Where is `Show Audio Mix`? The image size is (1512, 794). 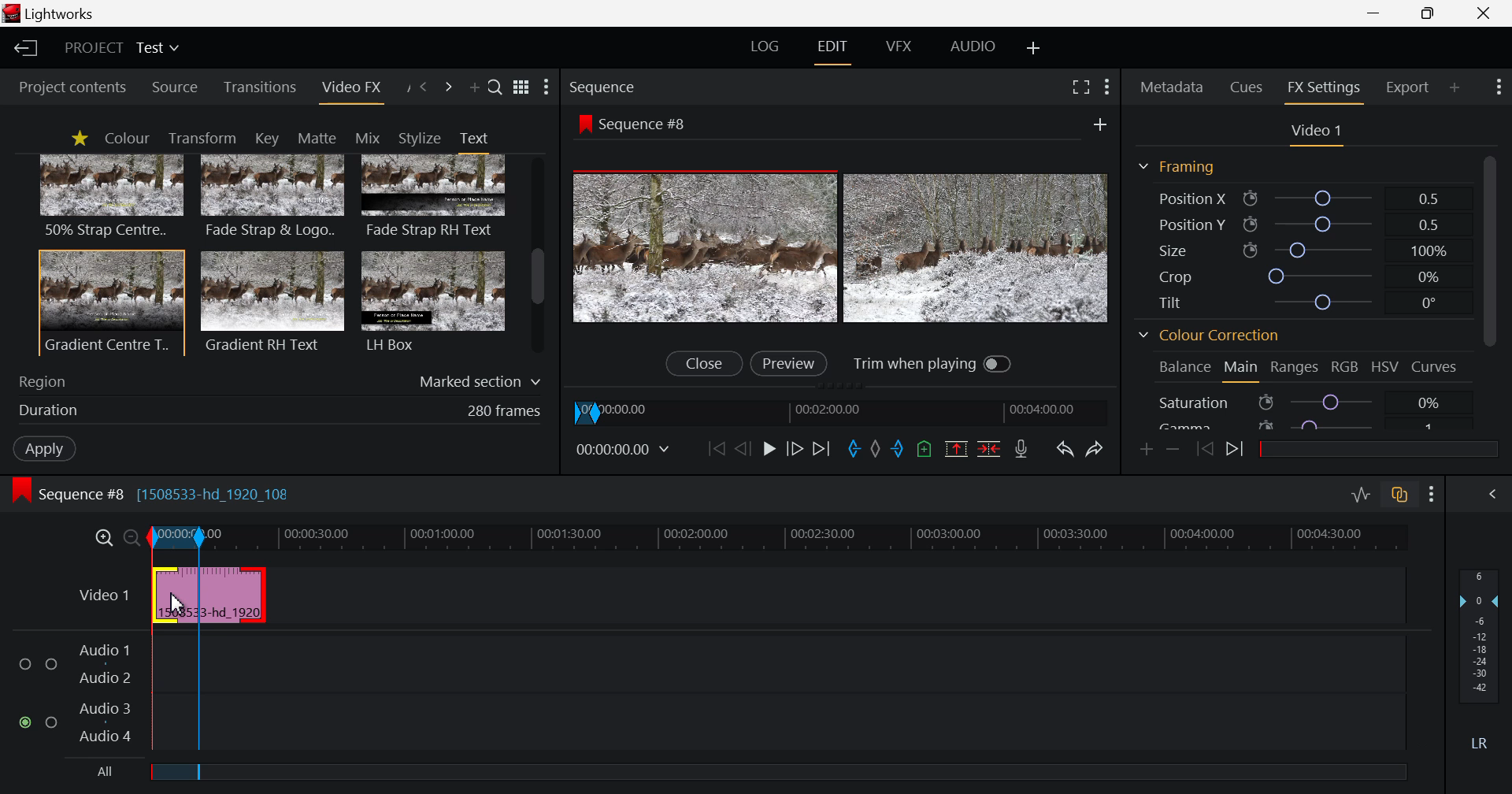
Show Audio Mix is located at coordinates (1496, 495).